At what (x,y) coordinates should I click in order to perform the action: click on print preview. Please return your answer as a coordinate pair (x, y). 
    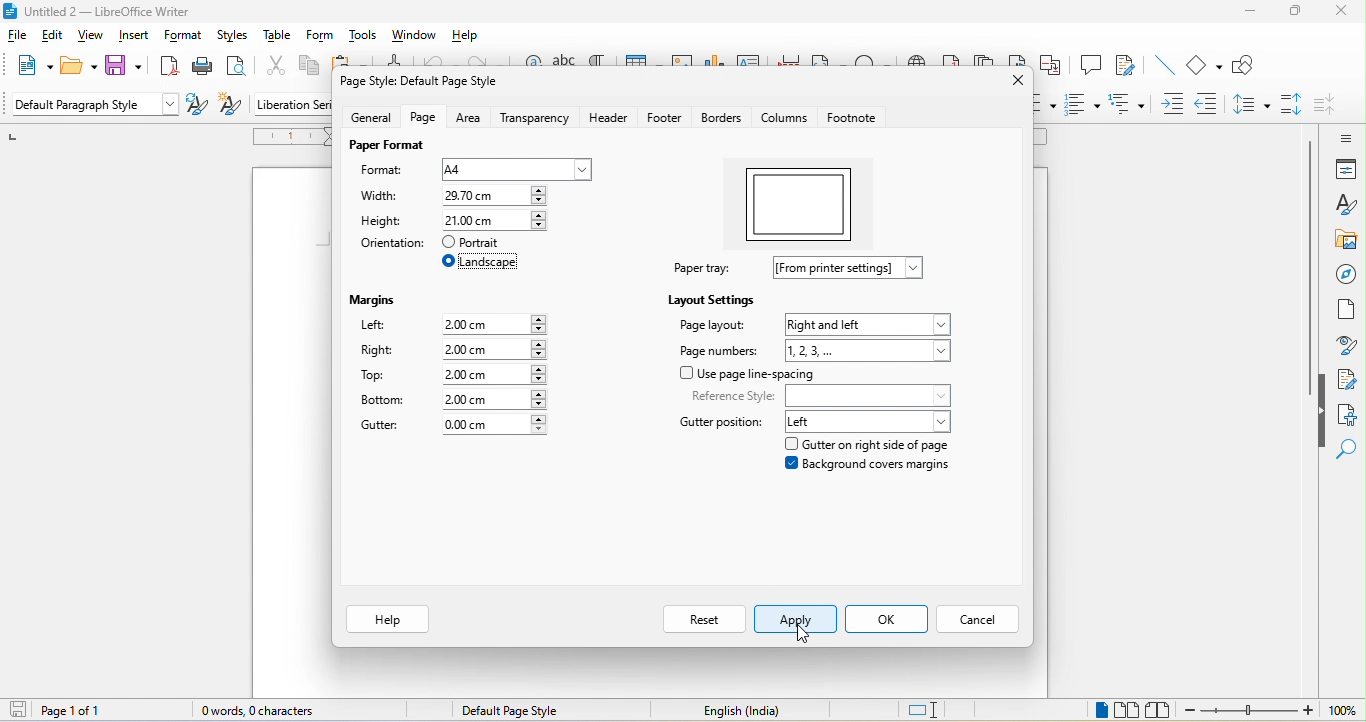
    Looking at the image, I should click on (238, 68).